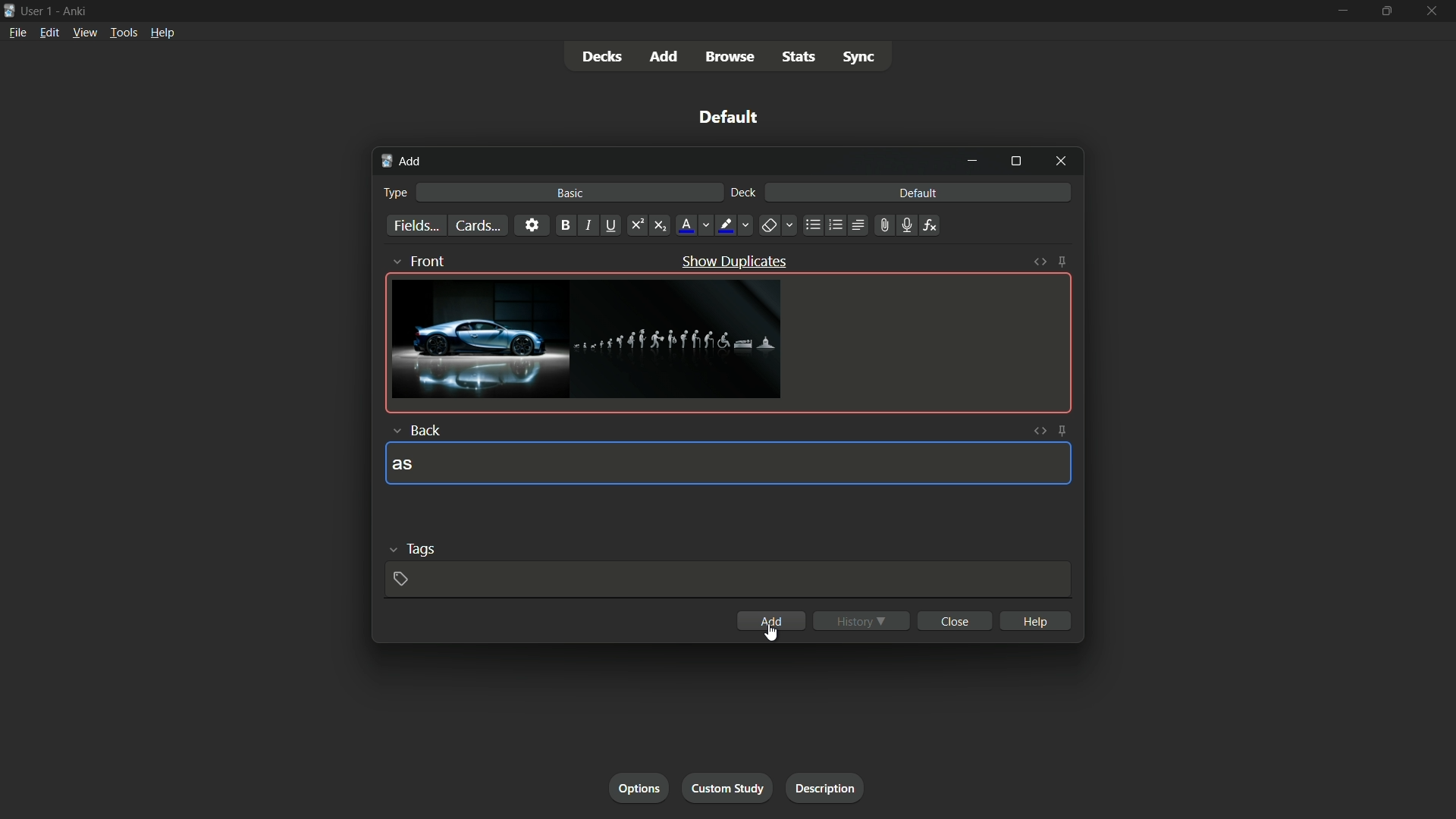 The width and height of the screenshot is (1456, 819). I want to click on add, so click(400, 161).